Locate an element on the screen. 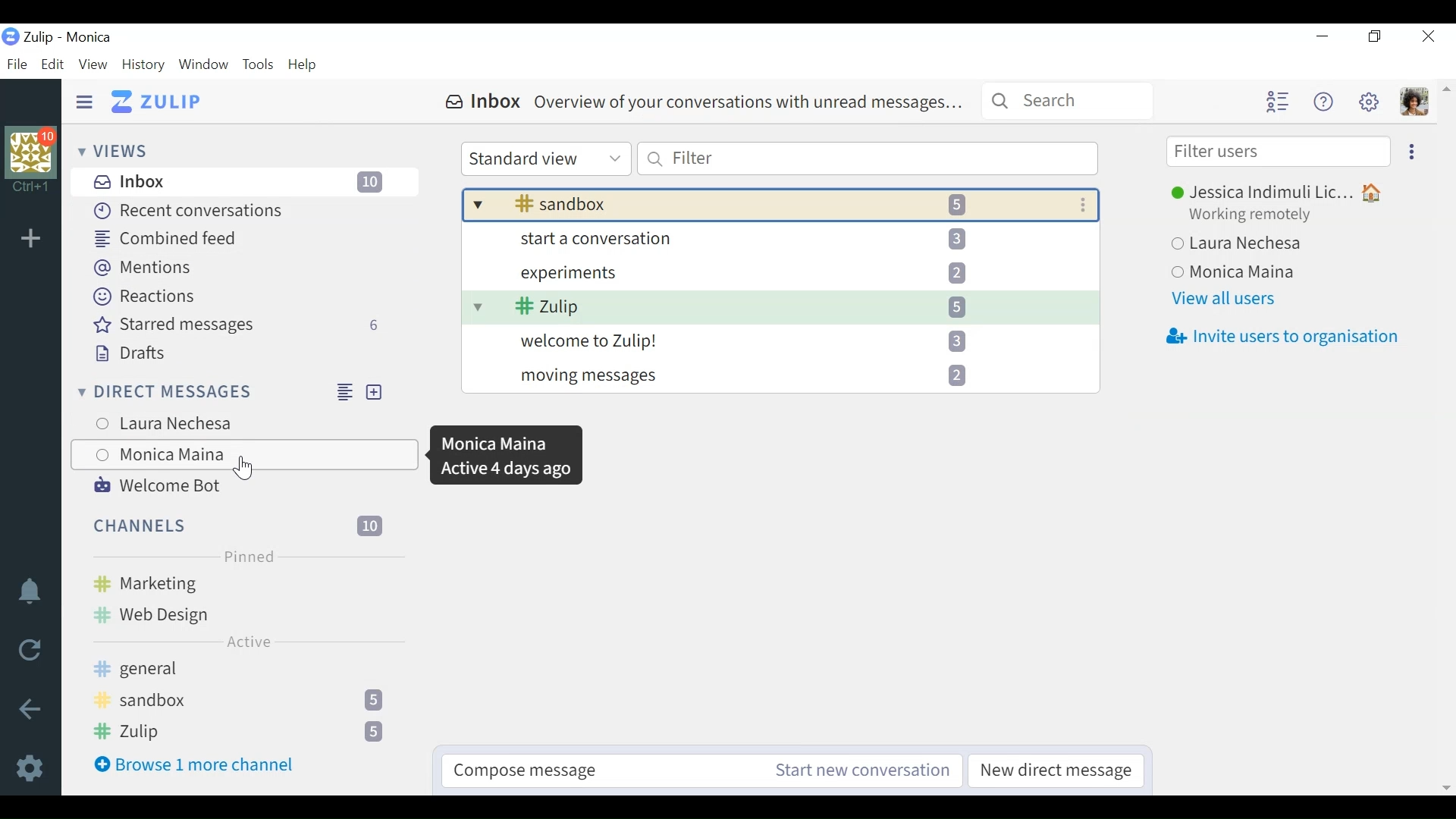 The height and width of the screenshot is (819, 1456). Monica Maina Active 4 days ago is located at coordinates (508, 457).